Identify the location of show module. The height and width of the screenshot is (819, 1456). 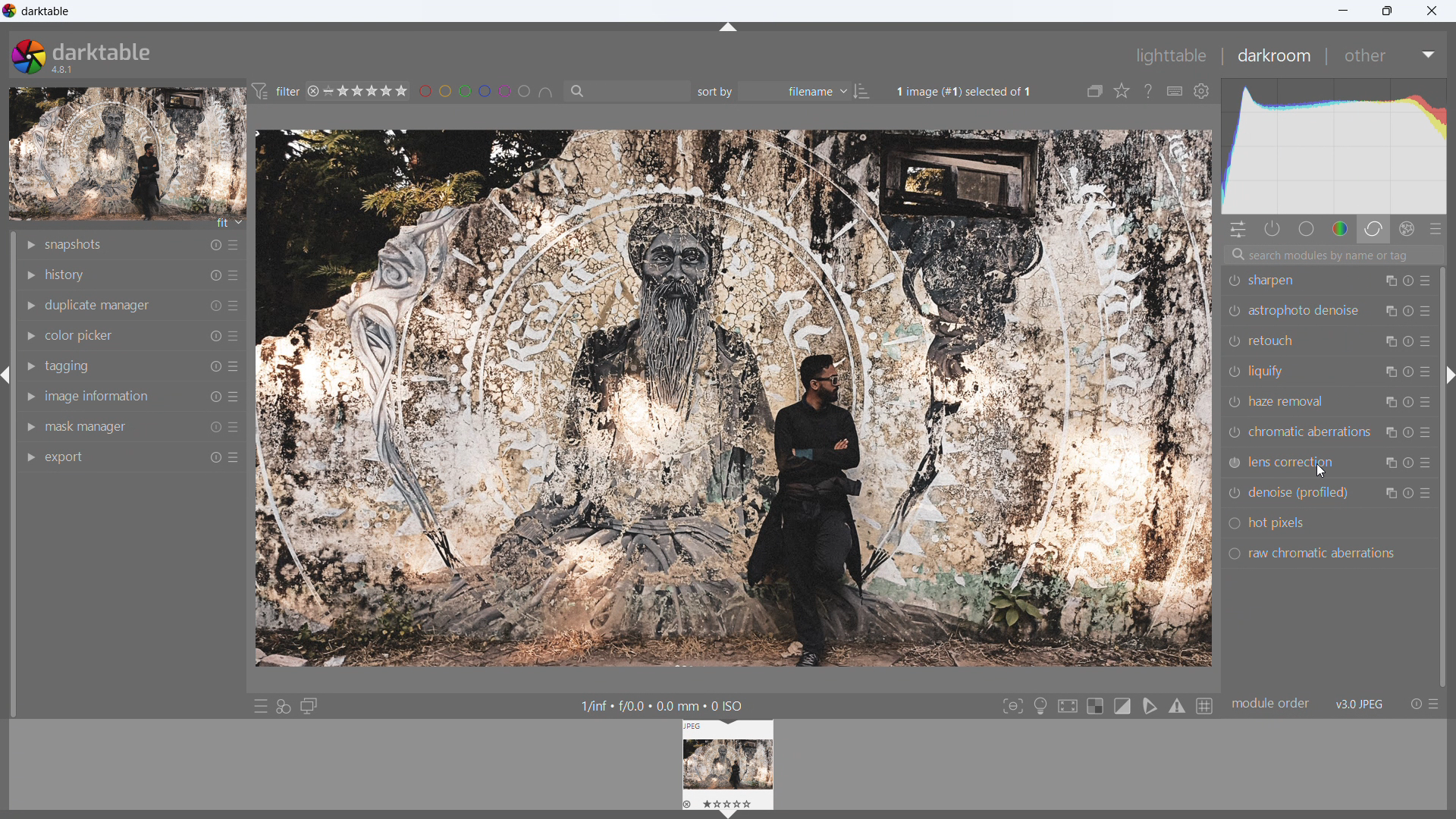
(31, 335).